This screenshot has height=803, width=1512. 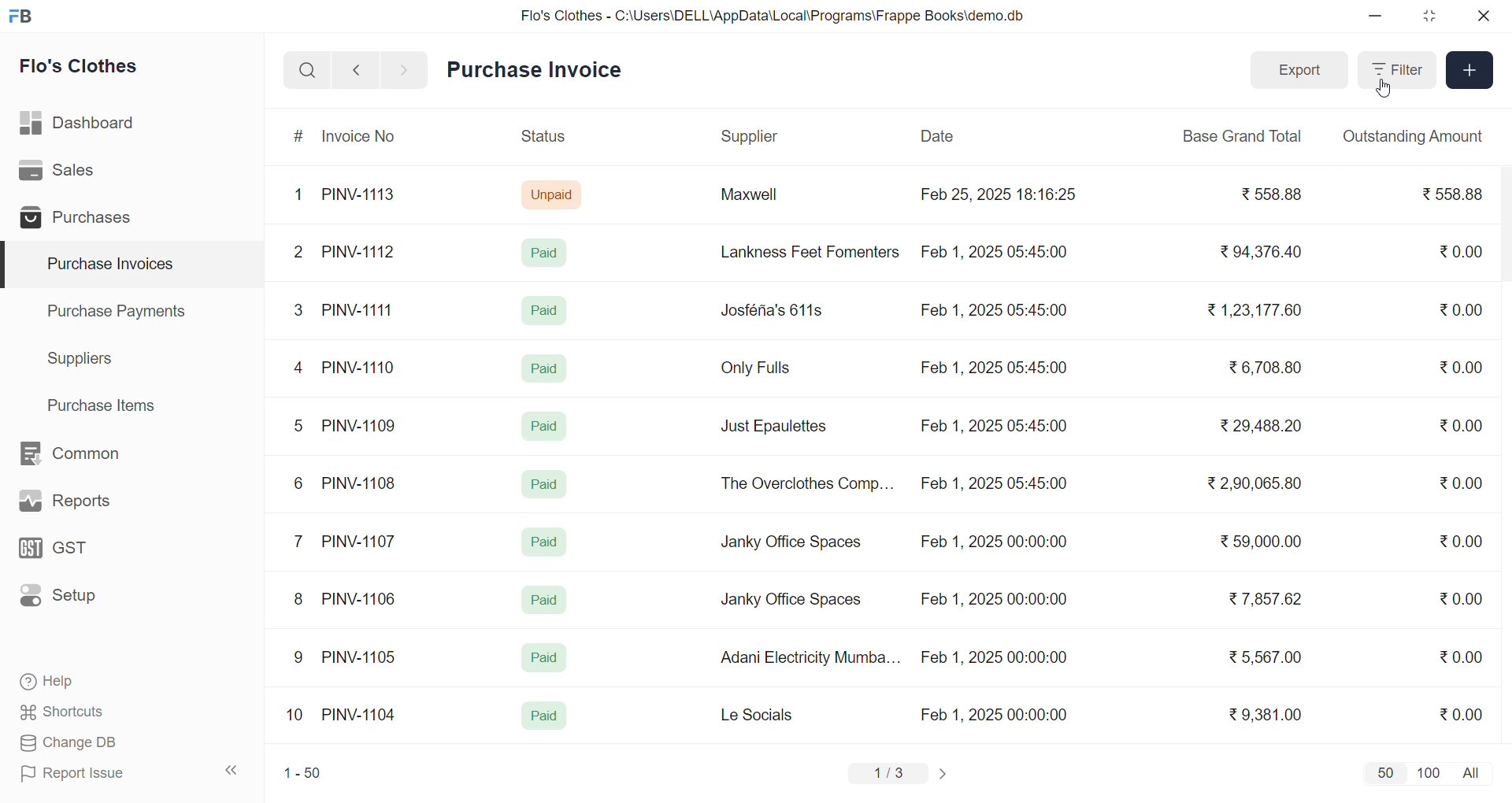 I want to click on Paid, so click(x=543, y=367).